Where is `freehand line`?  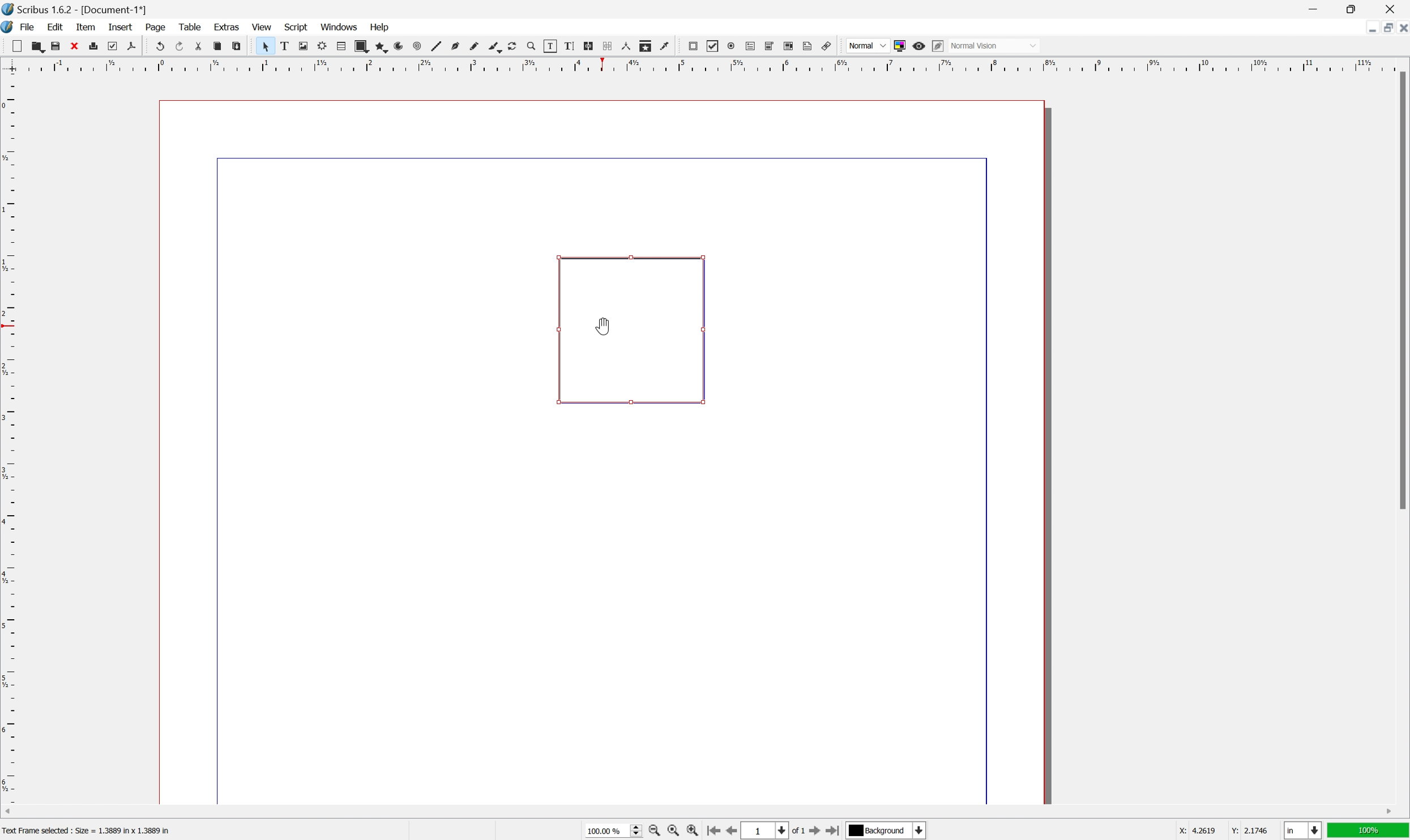 freehand line is located at coordinates (474, 47).